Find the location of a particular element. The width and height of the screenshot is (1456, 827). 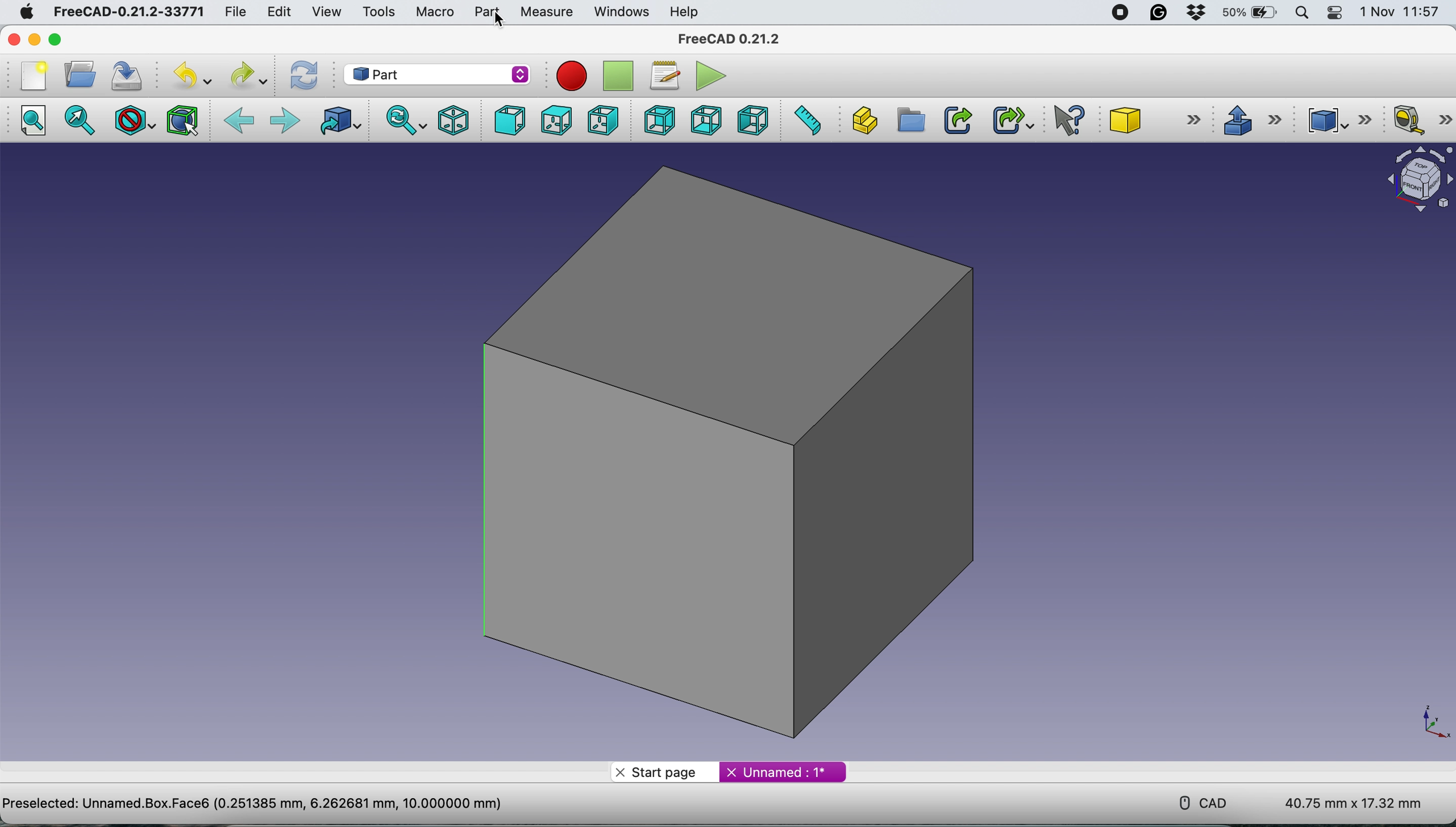

forward is located at coordinates (284, 122).